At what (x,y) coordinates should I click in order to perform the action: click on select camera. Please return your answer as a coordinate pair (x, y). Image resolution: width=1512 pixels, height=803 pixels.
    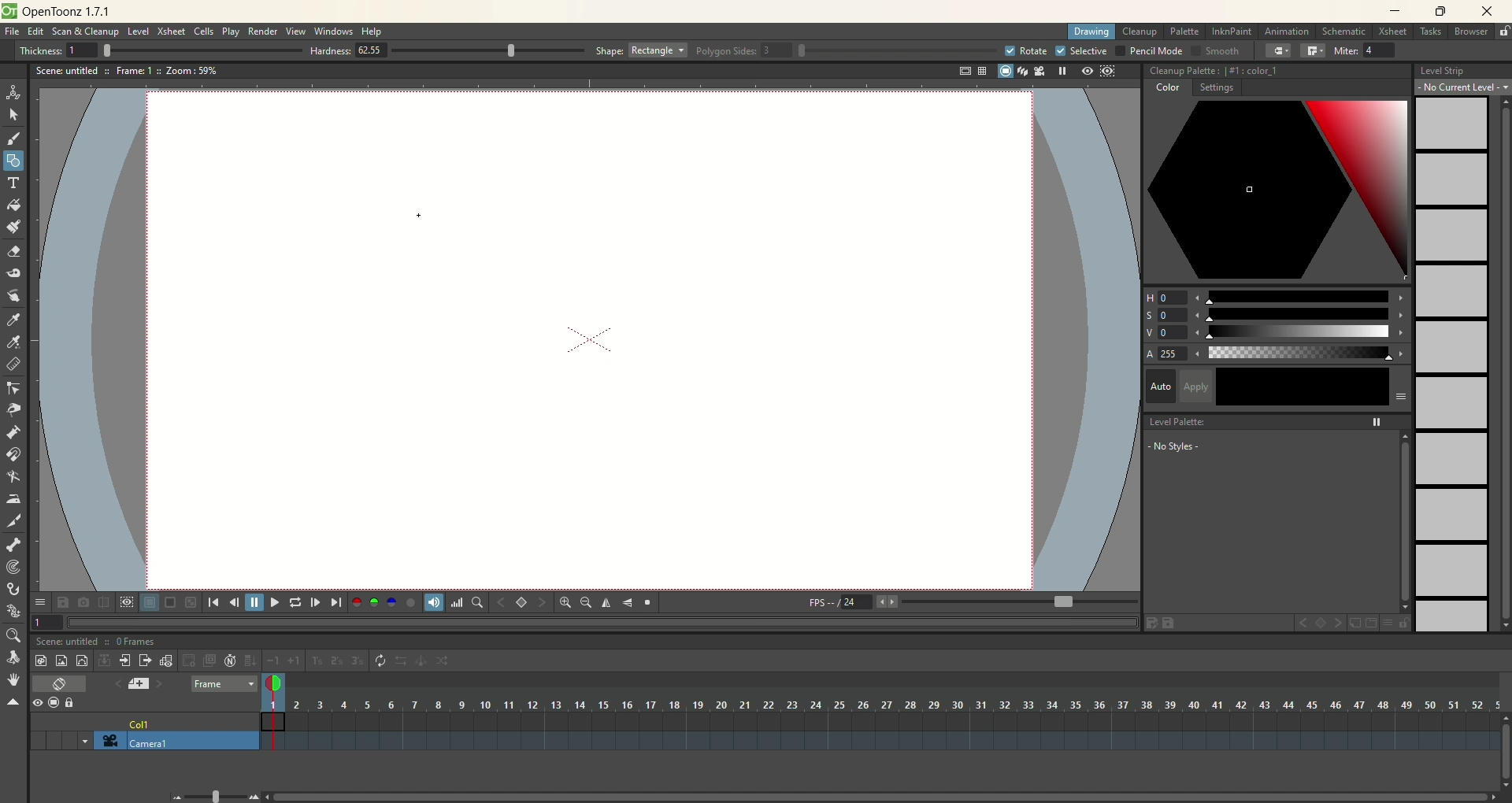
    Looking at the image, I should click on (107, 741).